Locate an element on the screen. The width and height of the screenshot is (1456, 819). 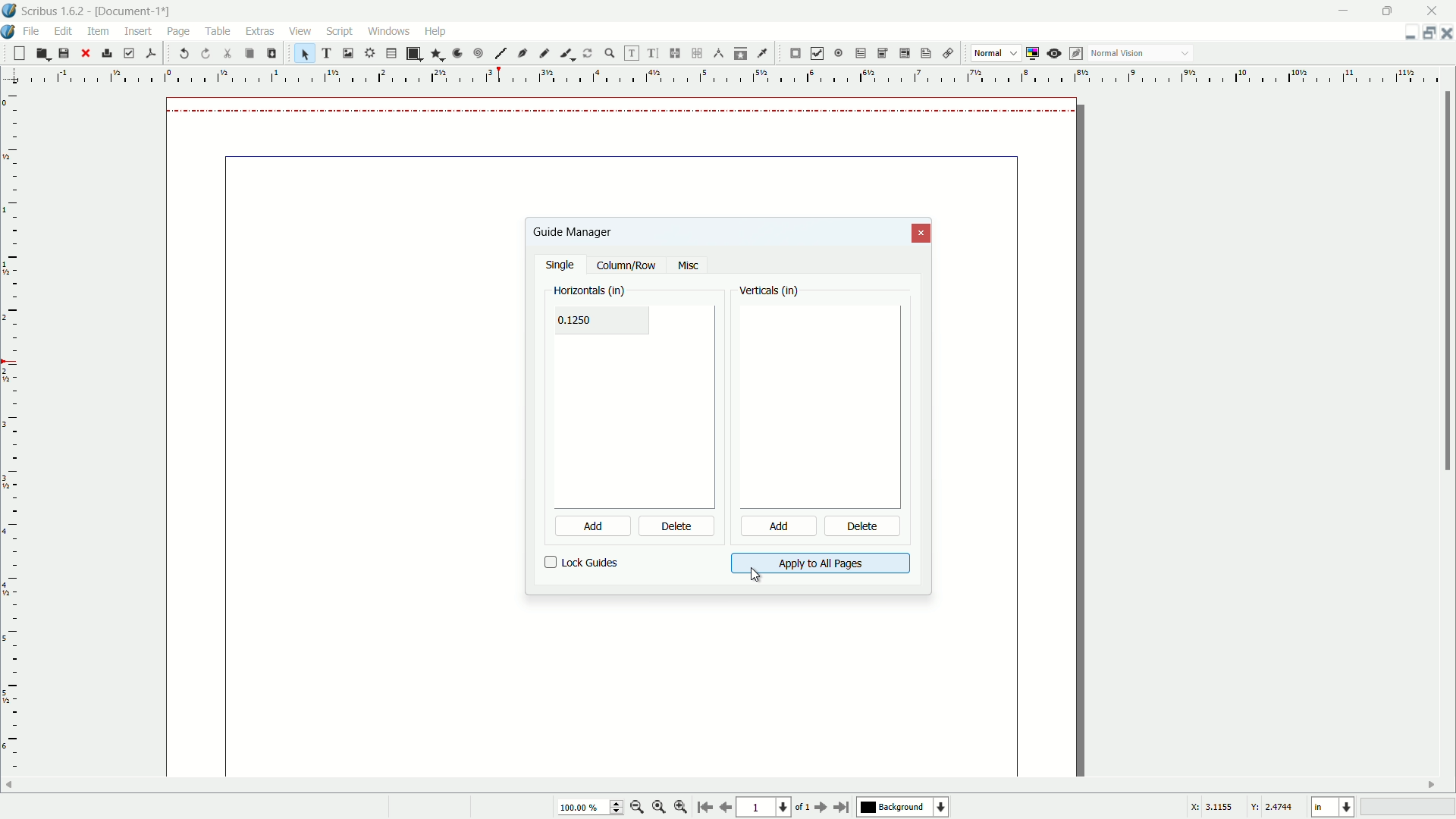
add is located at coordinates (777, 527).